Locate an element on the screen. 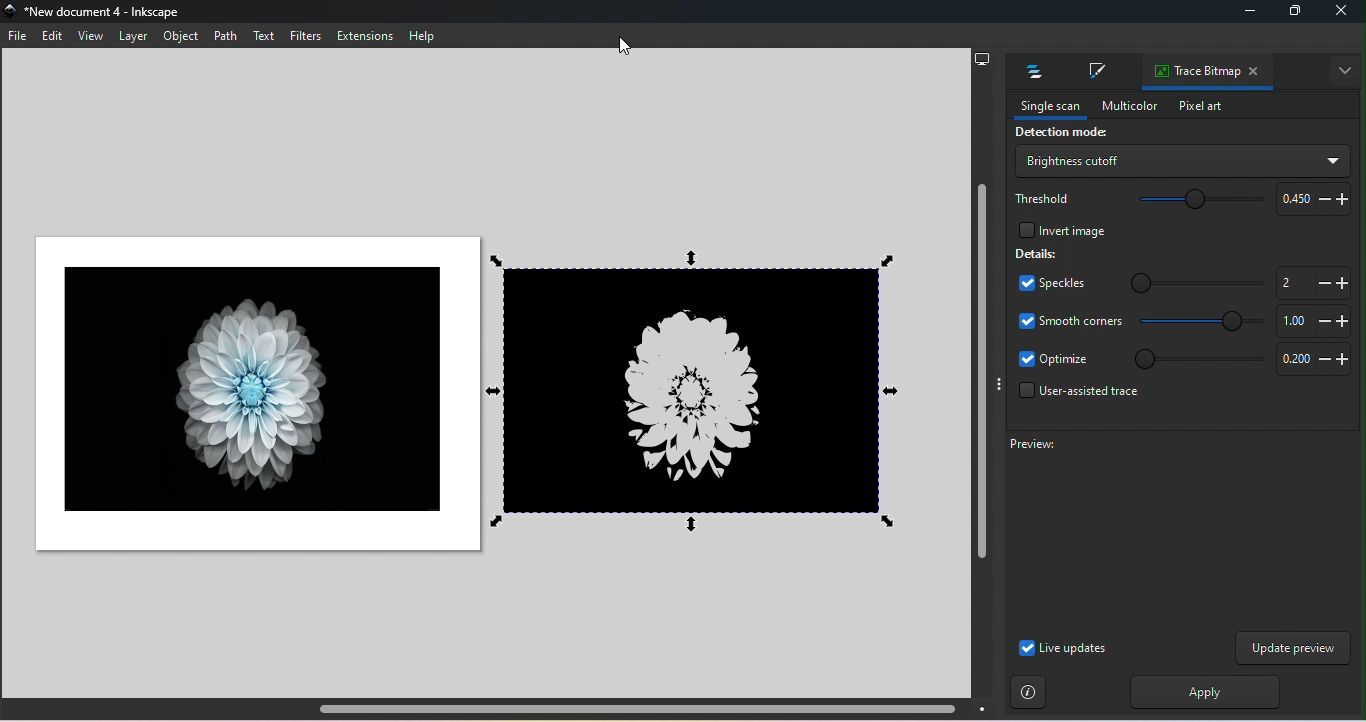 This screenshot has height=722, width=1366. Detection mode is located at coordinates (1058, 134).